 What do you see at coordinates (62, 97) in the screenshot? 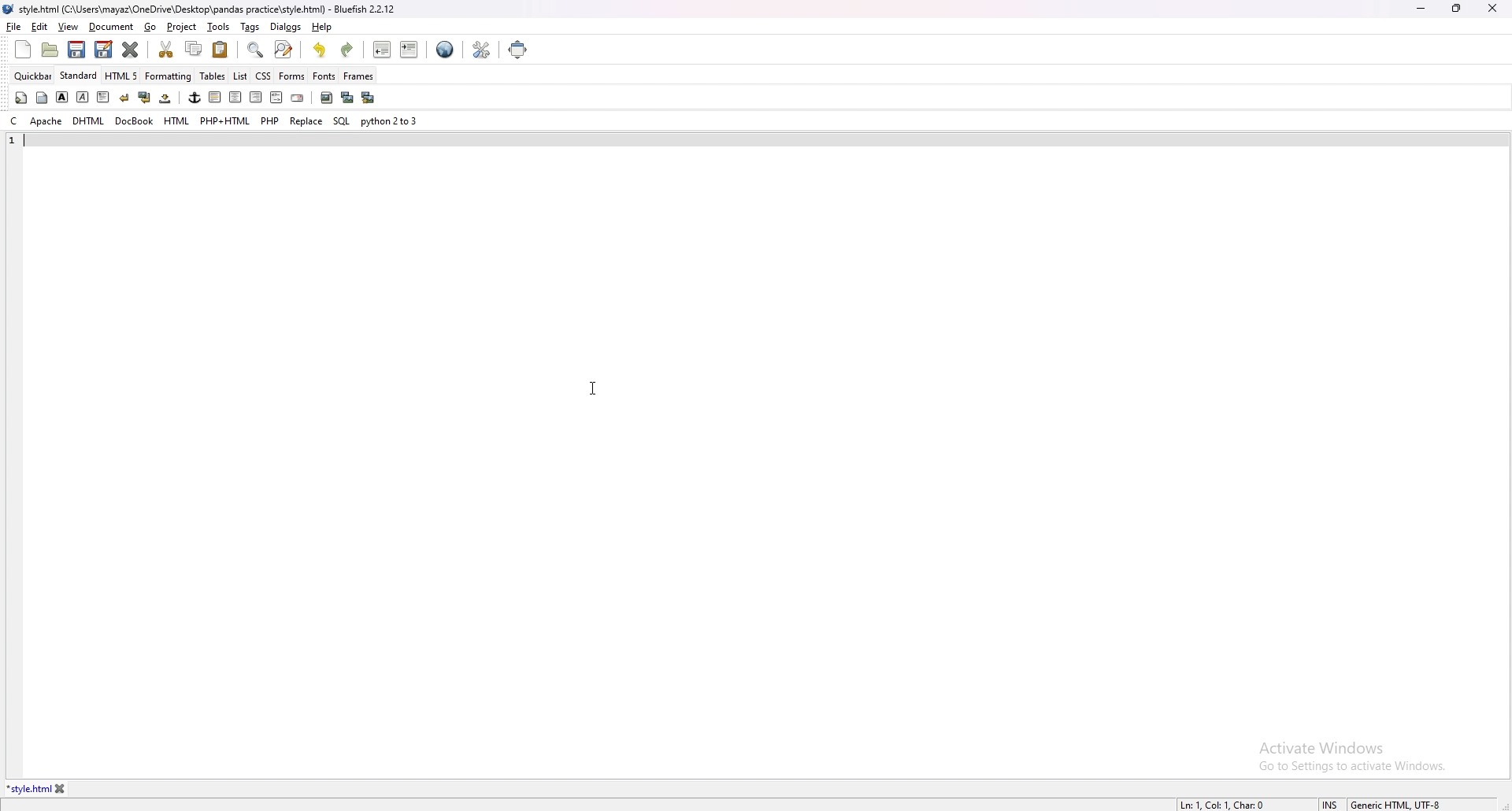
I see `bold` at bounding box center [62, 97].